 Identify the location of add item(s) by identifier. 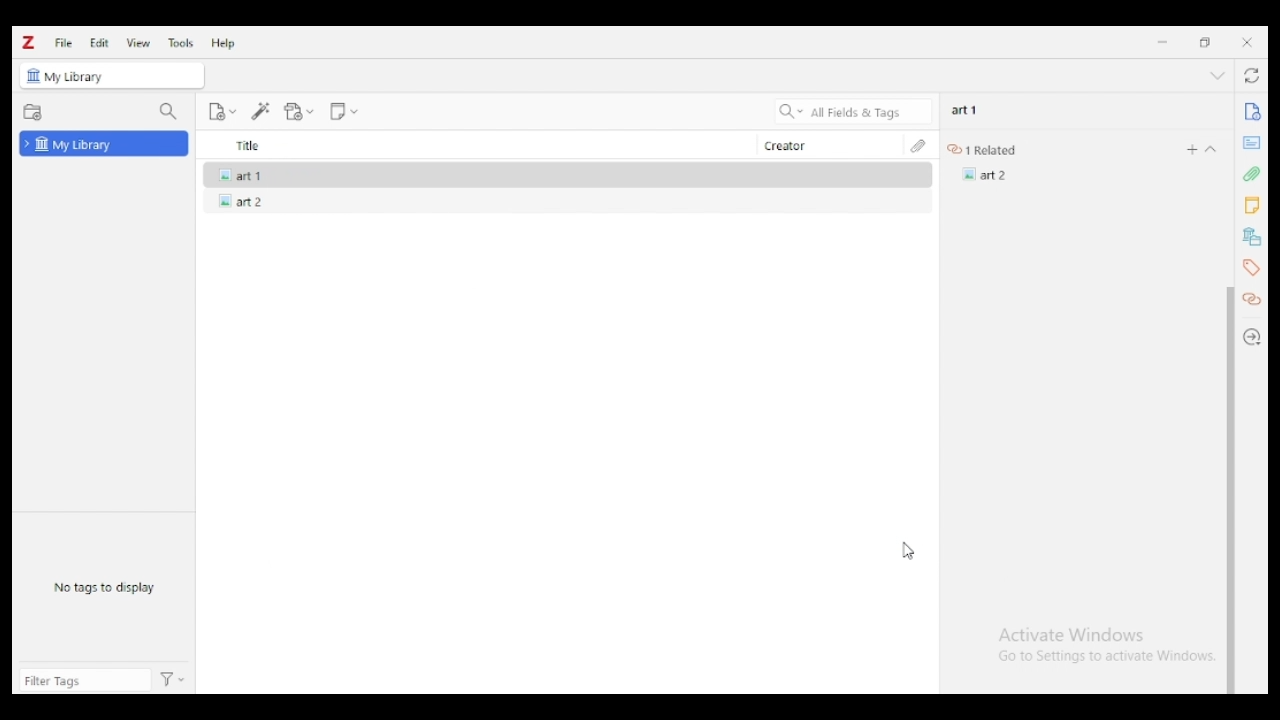
(262, 112).